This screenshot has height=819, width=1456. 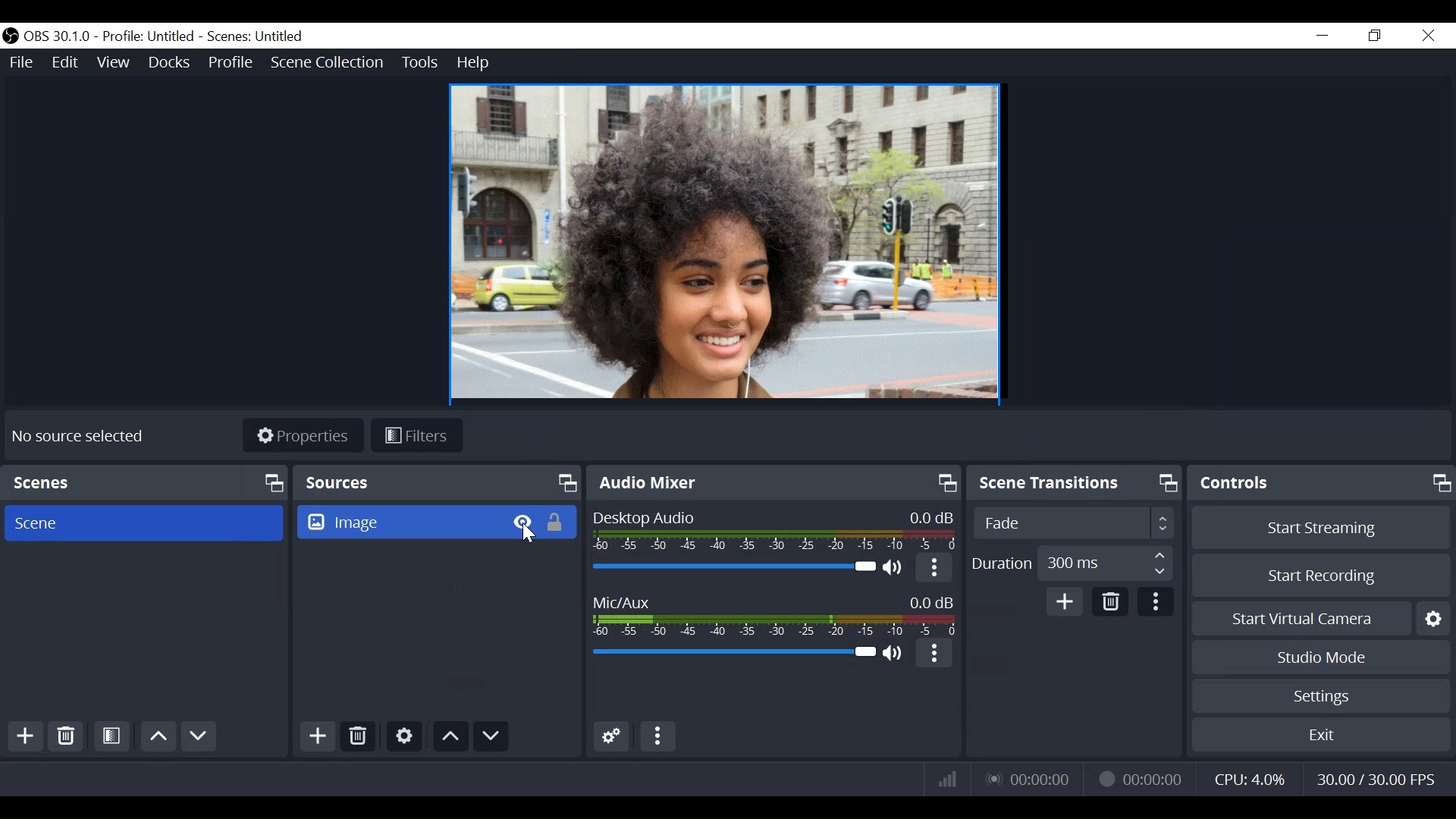 I want to click on Controls Panel, so click(x=1323, y=484).